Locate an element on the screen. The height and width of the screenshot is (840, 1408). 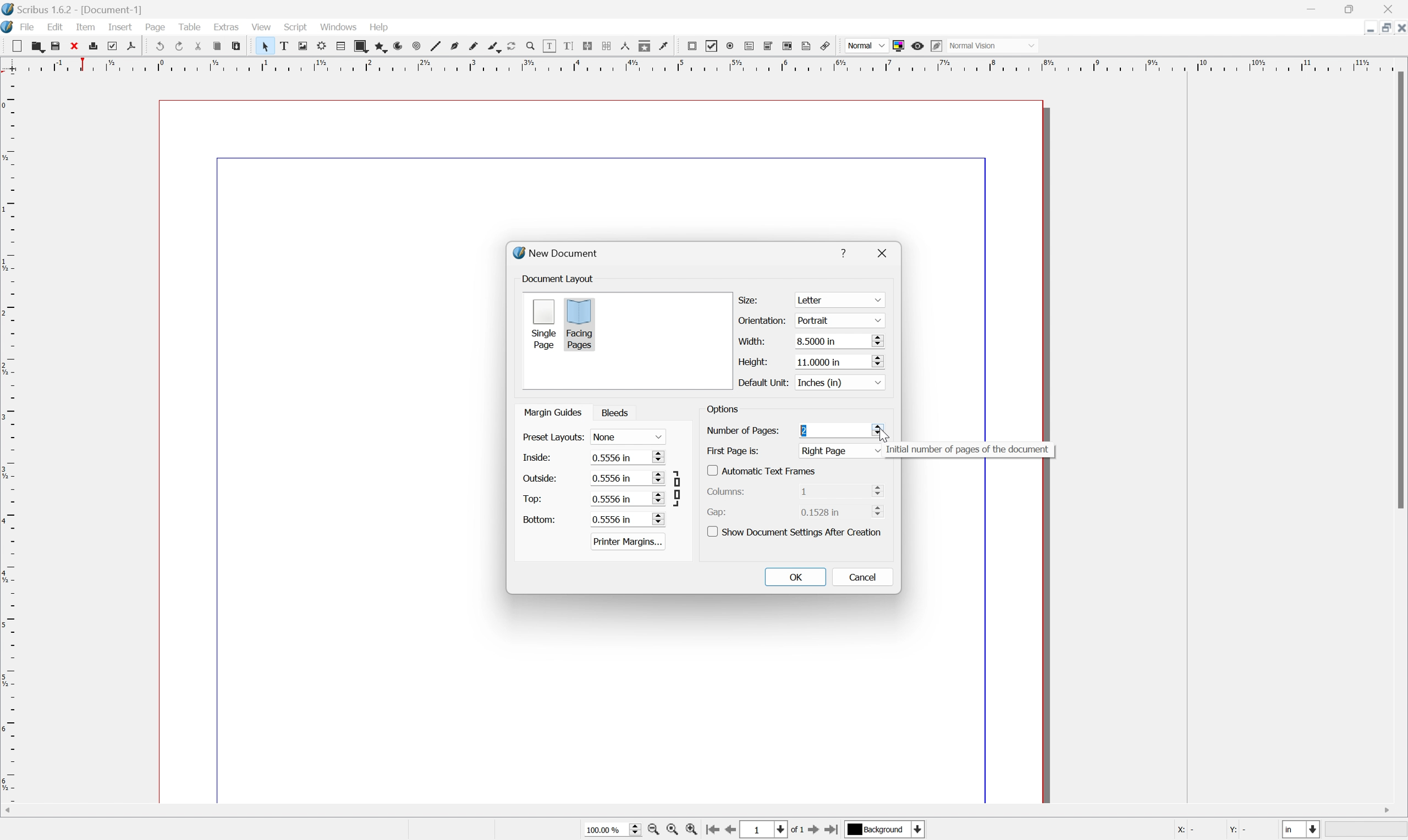
zoom in is located at coordinates (695, 830).